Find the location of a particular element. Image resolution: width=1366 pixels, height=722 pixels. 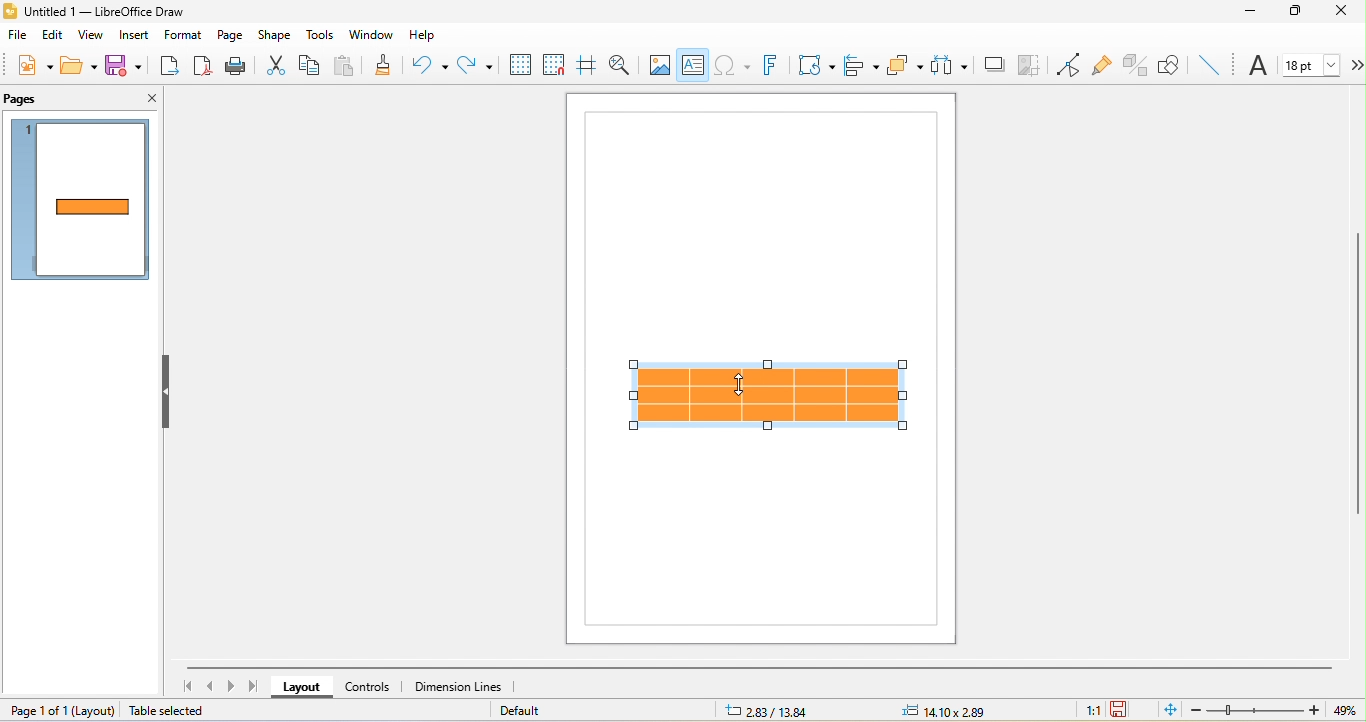

insert line is located at coordinates (1209, 64).